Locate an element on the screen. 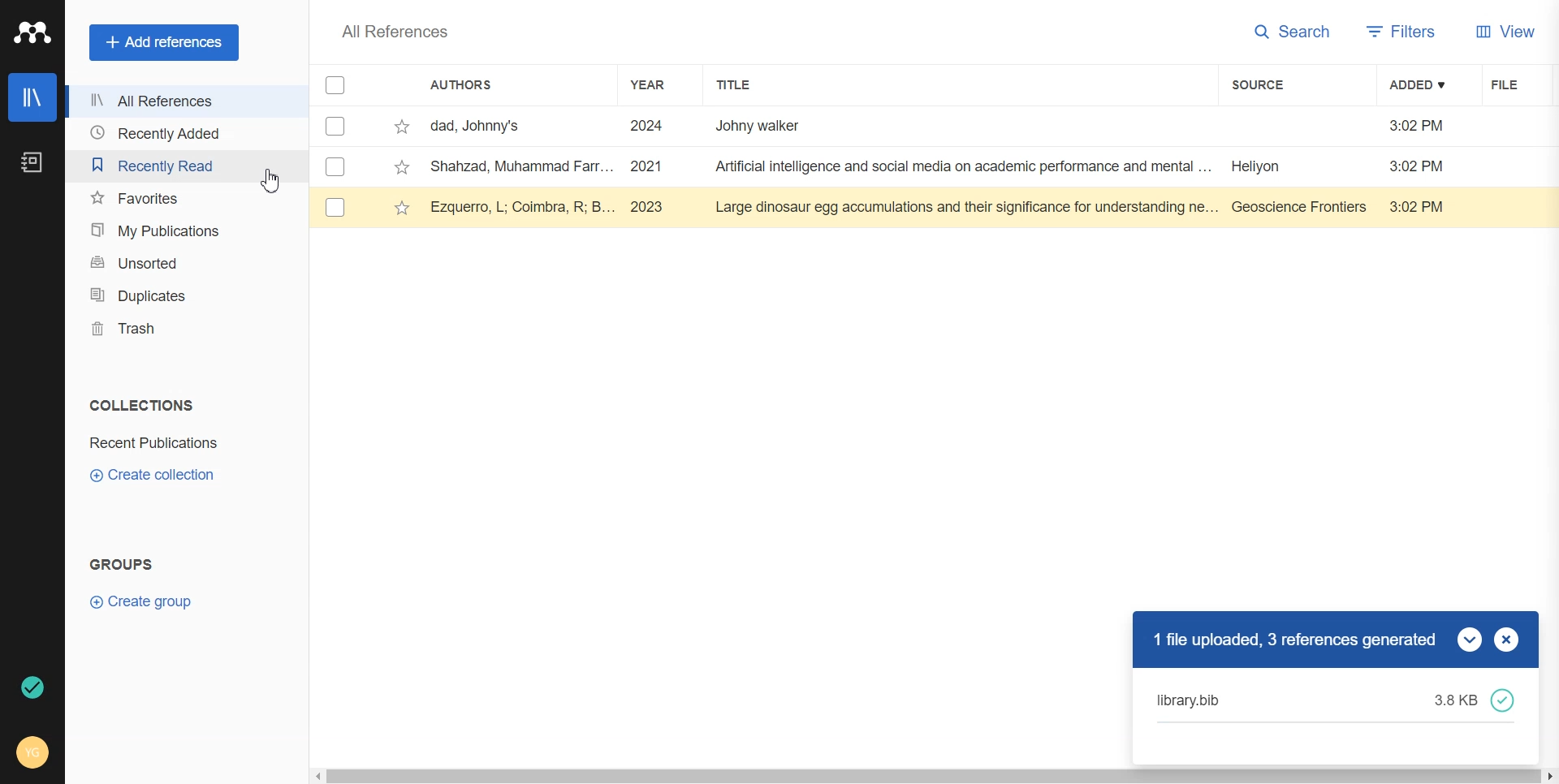 The width and height of the screenshot is (1559, 784). Cursor is located at coordinates (274, 180).